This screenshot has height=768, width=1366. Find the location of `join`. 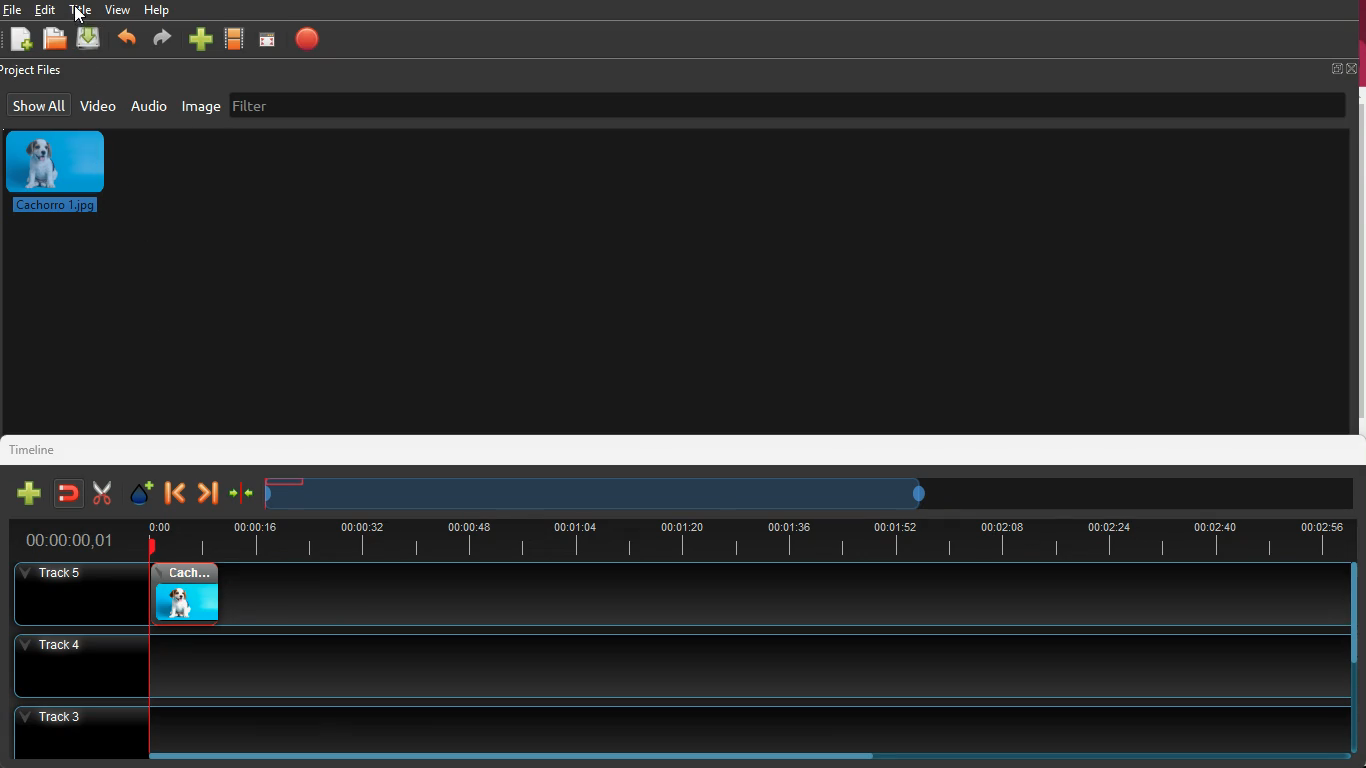

join is located at coordinates (67, 493).